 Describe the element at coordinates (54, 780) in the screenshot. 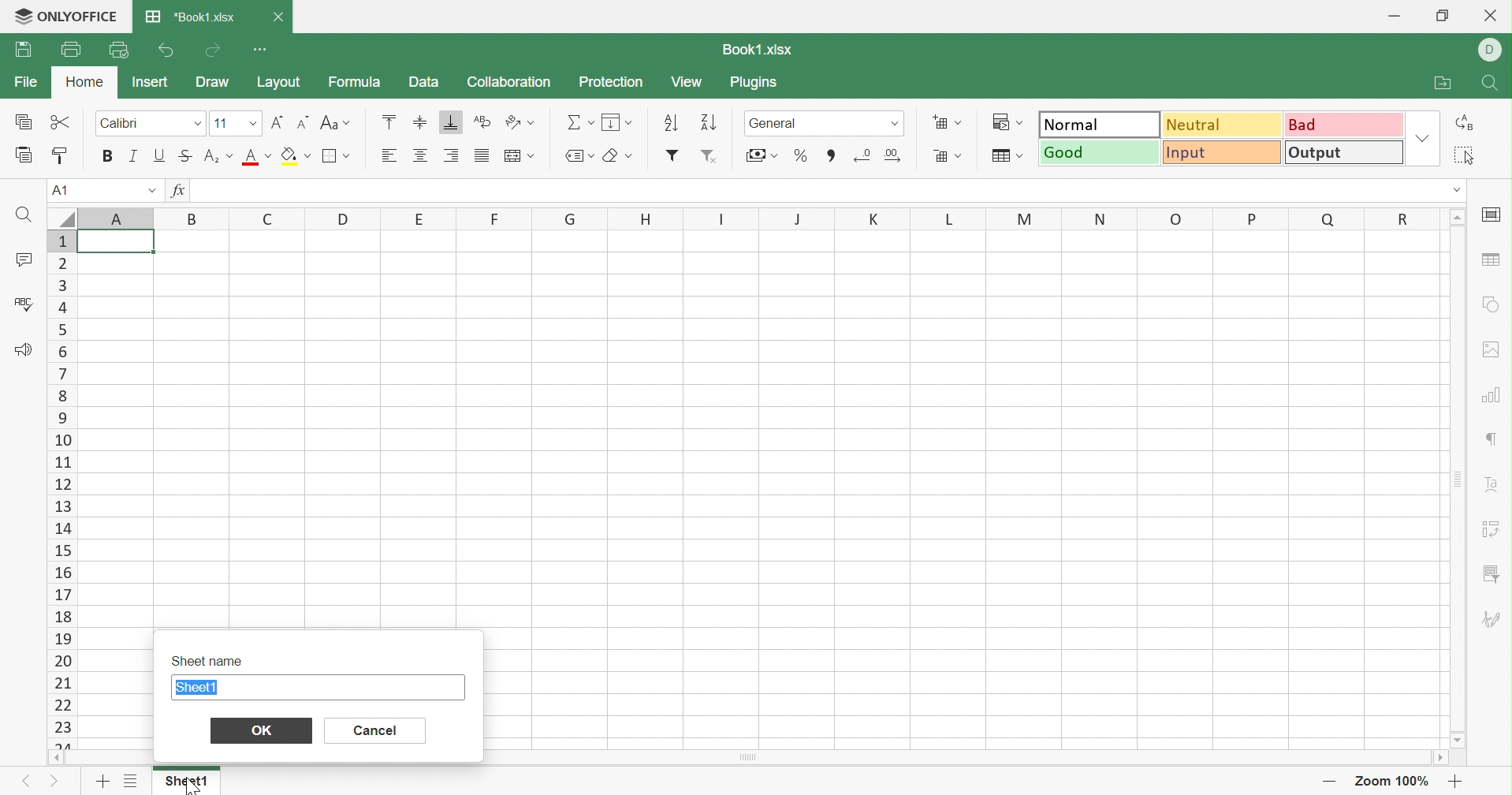

I see `Next` at that location.